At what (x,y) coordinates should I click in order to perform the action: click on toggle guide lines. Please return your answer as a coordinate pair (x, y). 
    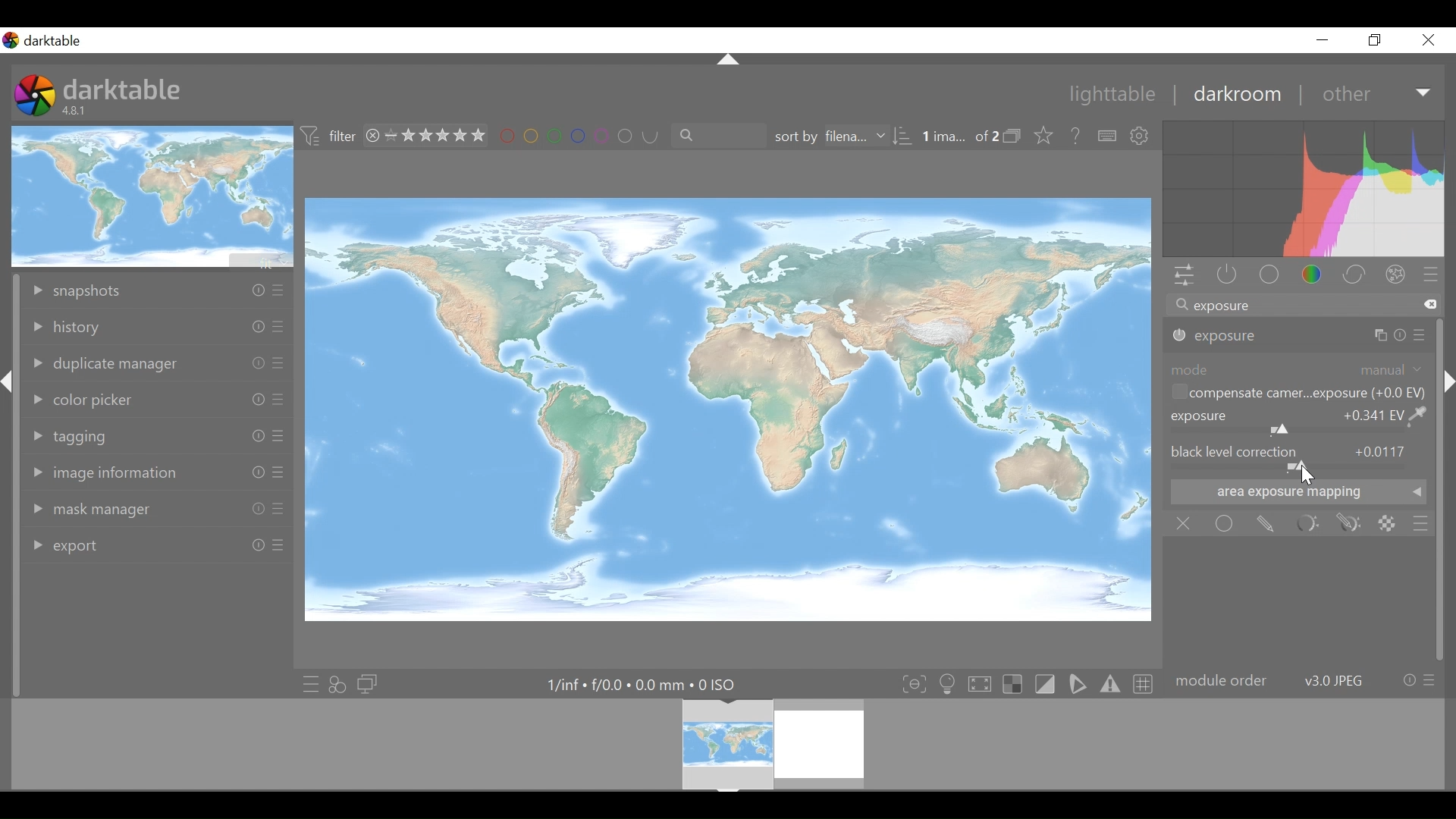
    Looking at the image, I should click on (1141, 684).